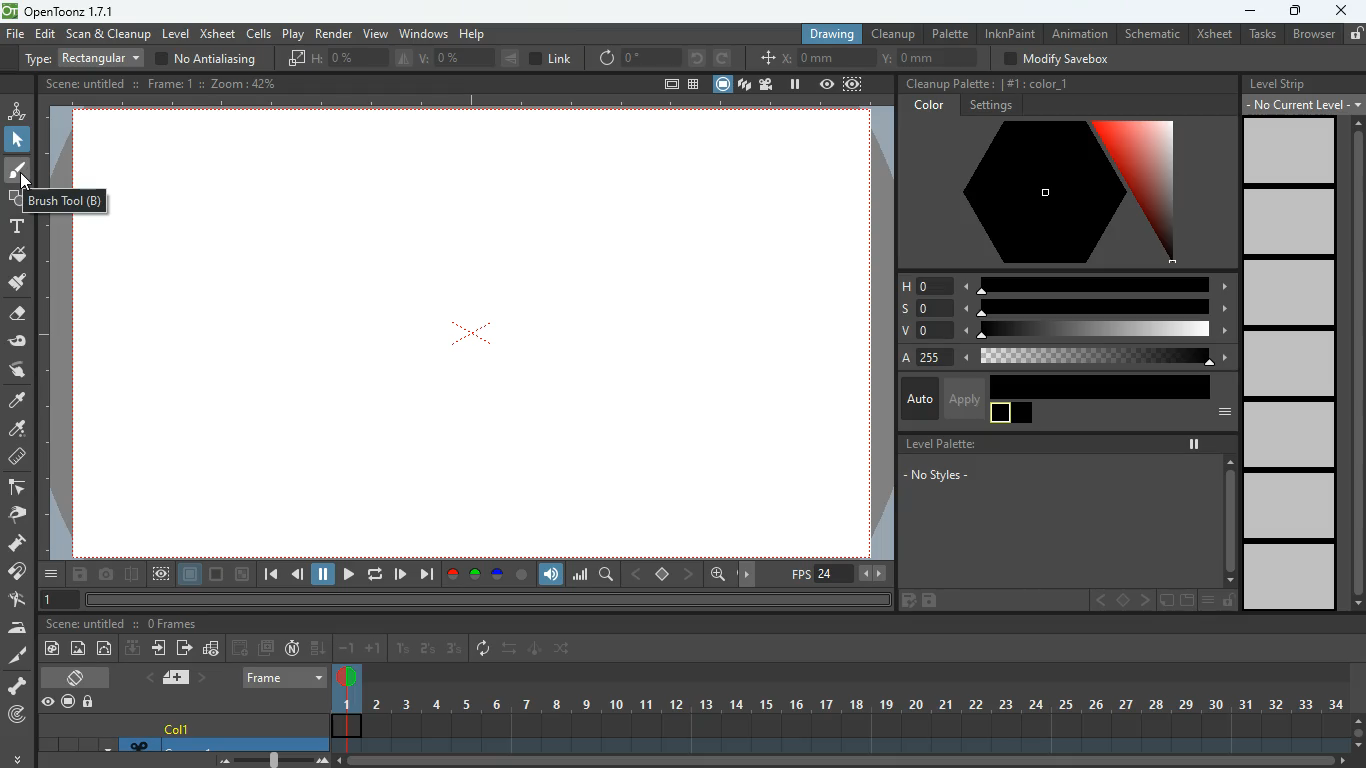 Image resolution: width=1366 pixels, height=768 pixels. What do you see at coordinates (564, 648) in the screenshot?
I see `swap` at bounding box center [564, 648].